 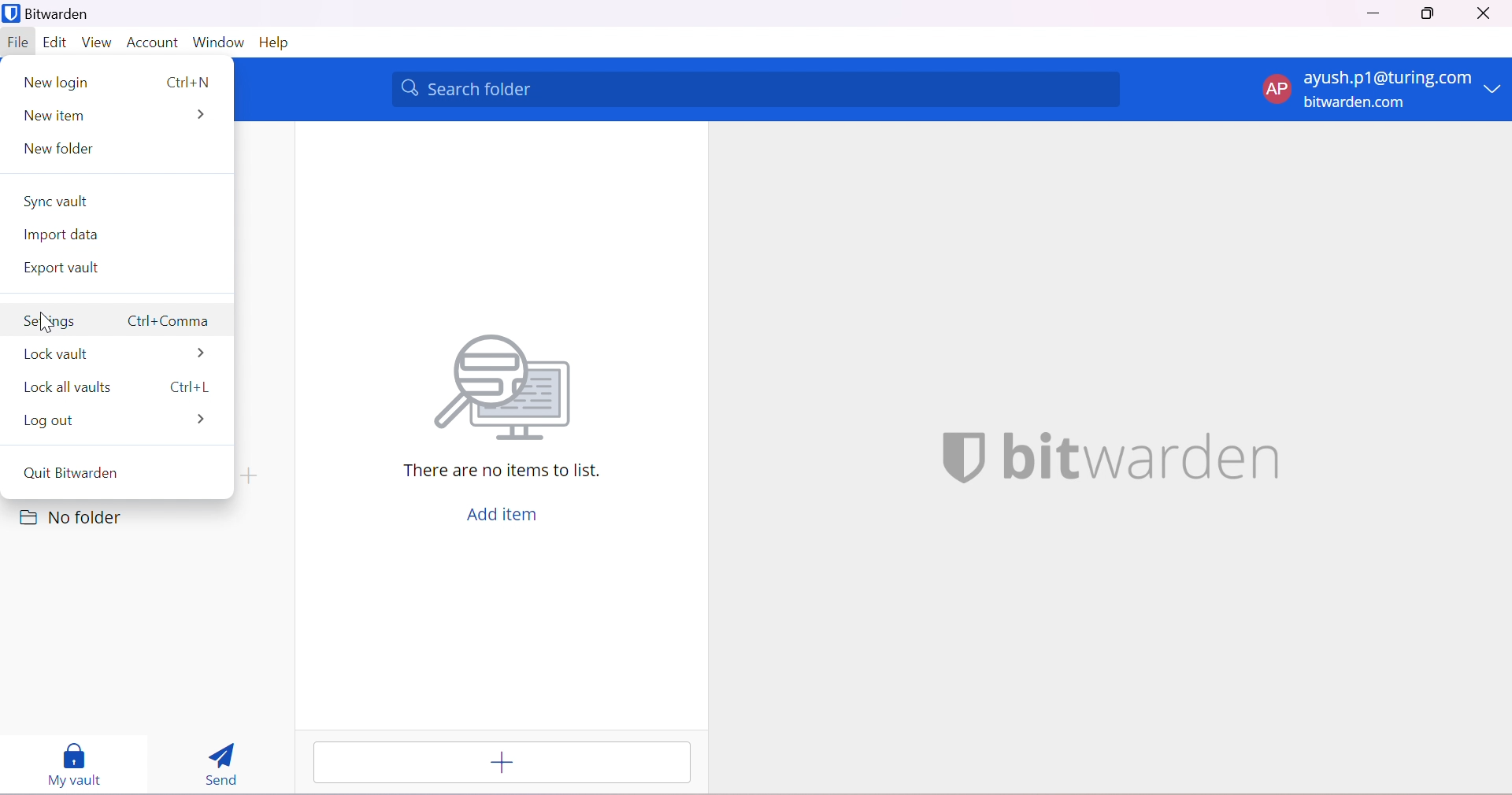 What do you see at coordinates (1483, 13) in the screenshot?
I see `Close` at bounding box center [1483, 13].